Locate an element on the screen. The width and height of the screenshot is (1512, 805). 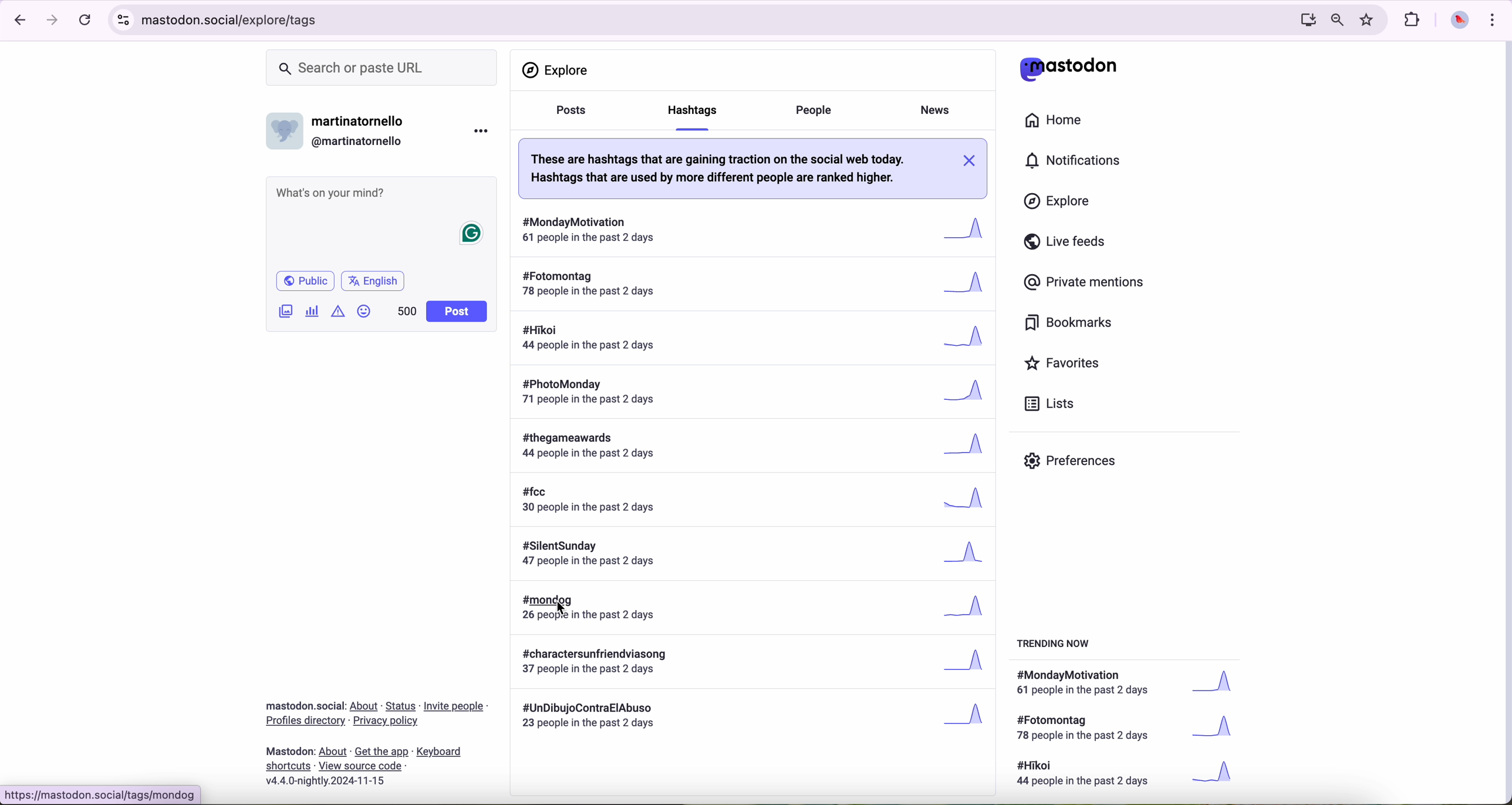
explore is located at coordinates (1059, 202).